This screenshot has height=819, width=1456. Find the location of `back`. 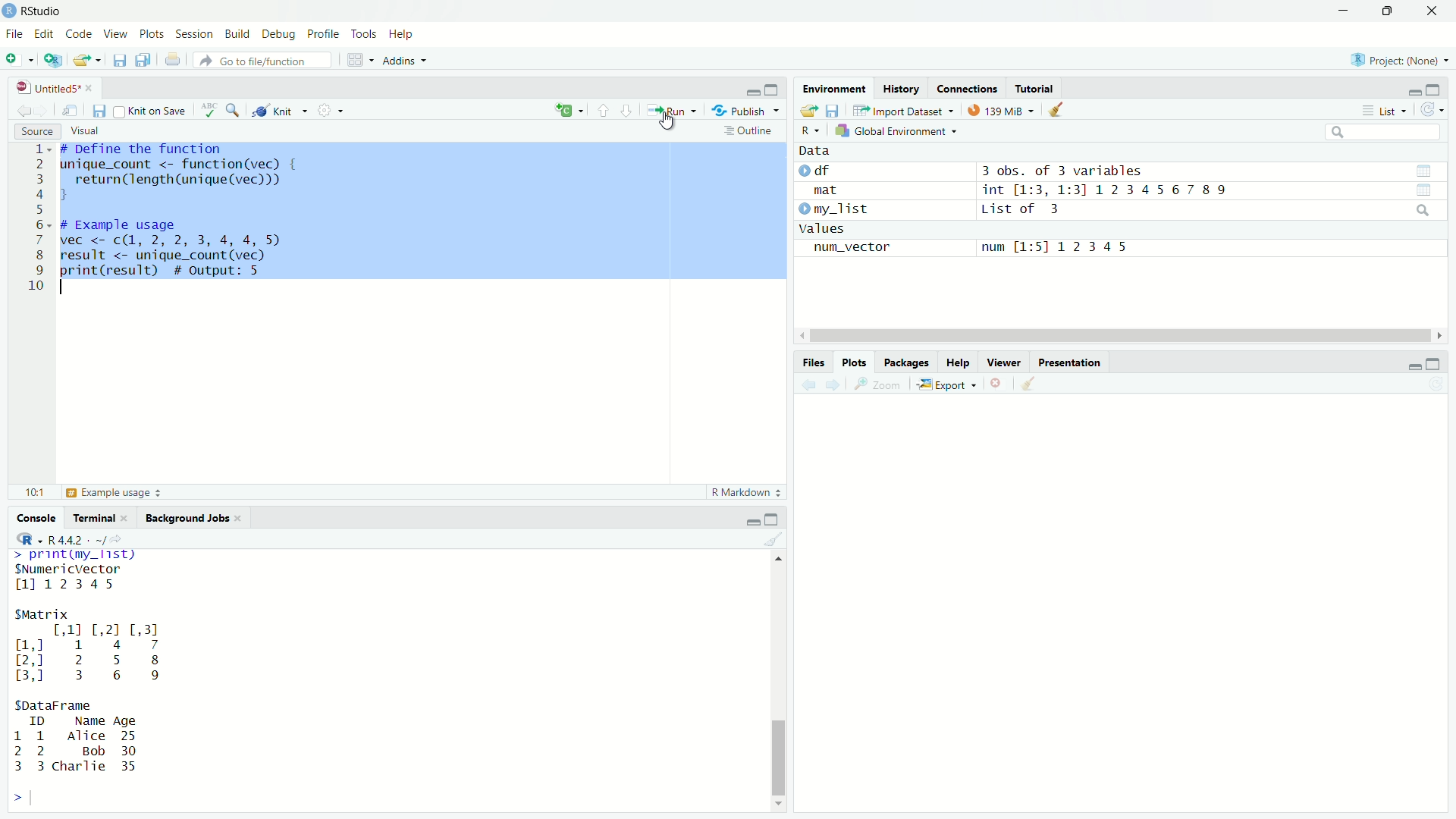

back is located at coordinates (26, 110).